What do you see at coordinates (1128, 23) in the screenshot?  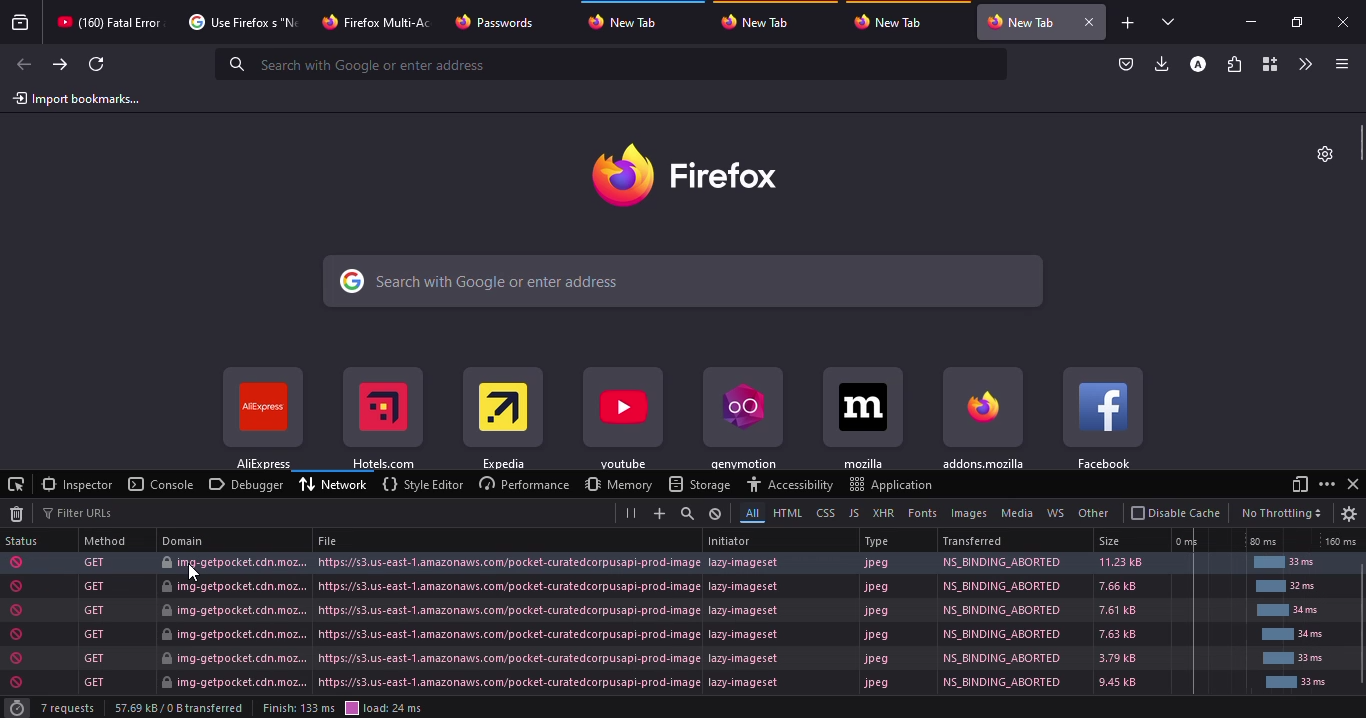 I see `add new tab` at bounding box center [1128, 23].